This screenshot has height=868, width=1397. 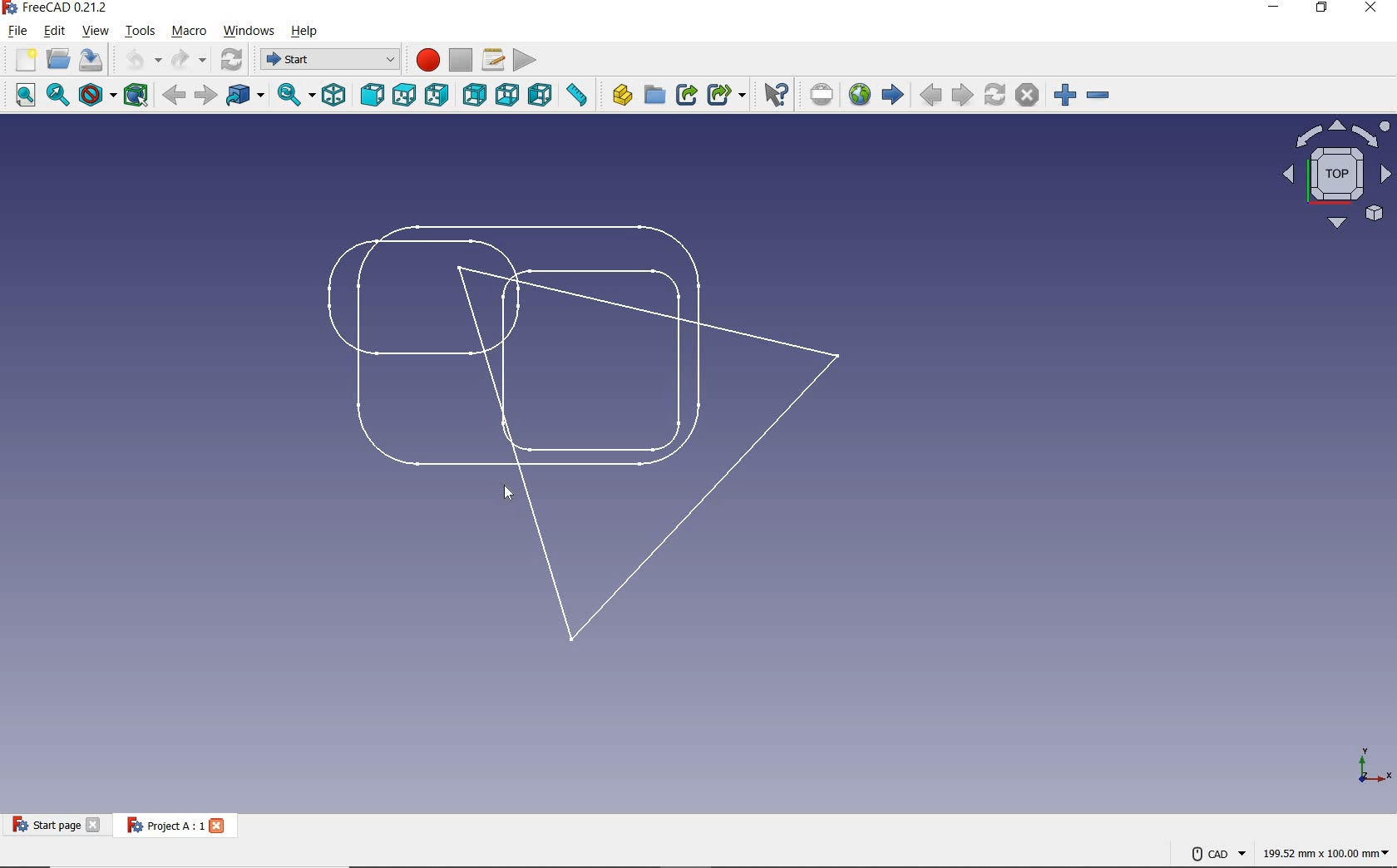 What do you see at coordinates (173, 95) in the screenshot?
I see `BACK` at bounding box center [173, 95].